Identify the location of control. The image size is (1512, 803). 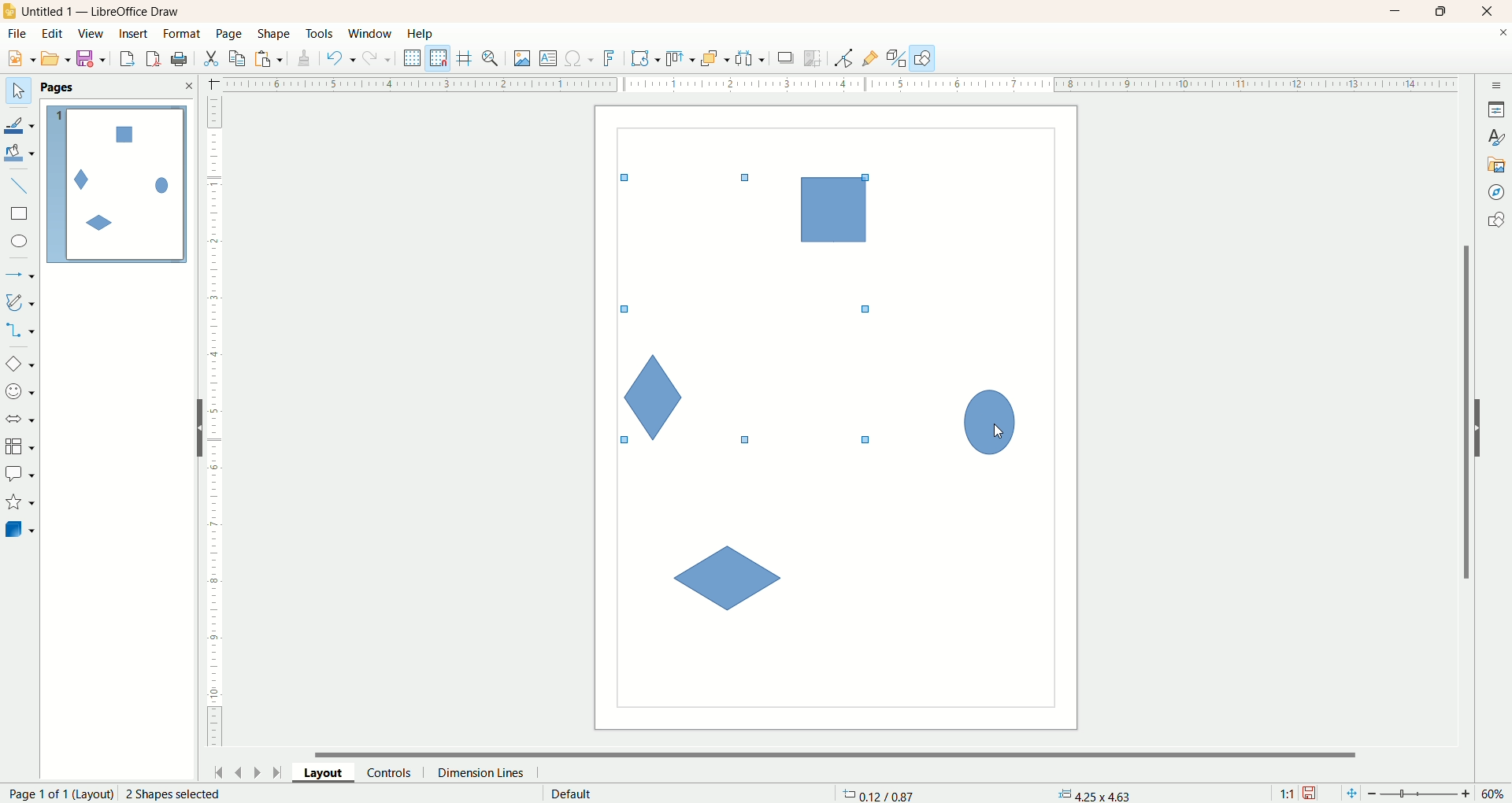
(396, 772).